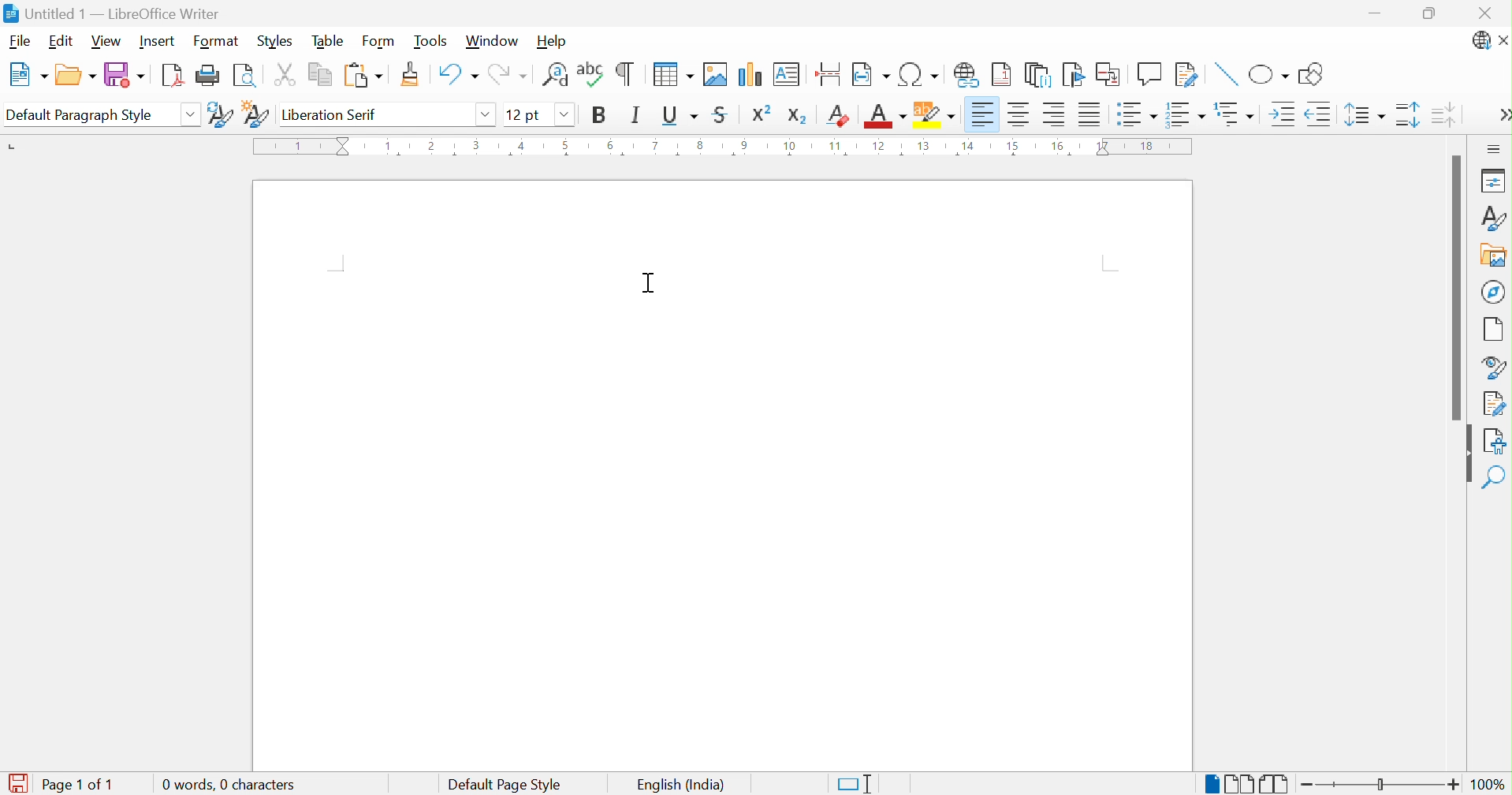 Image resolution: width=1512 pixels, height=795 pixels. What do you see at coordinates (1283, 115) in the screenshot?
I see `Increase indent` at bounding box center [1283, 115].